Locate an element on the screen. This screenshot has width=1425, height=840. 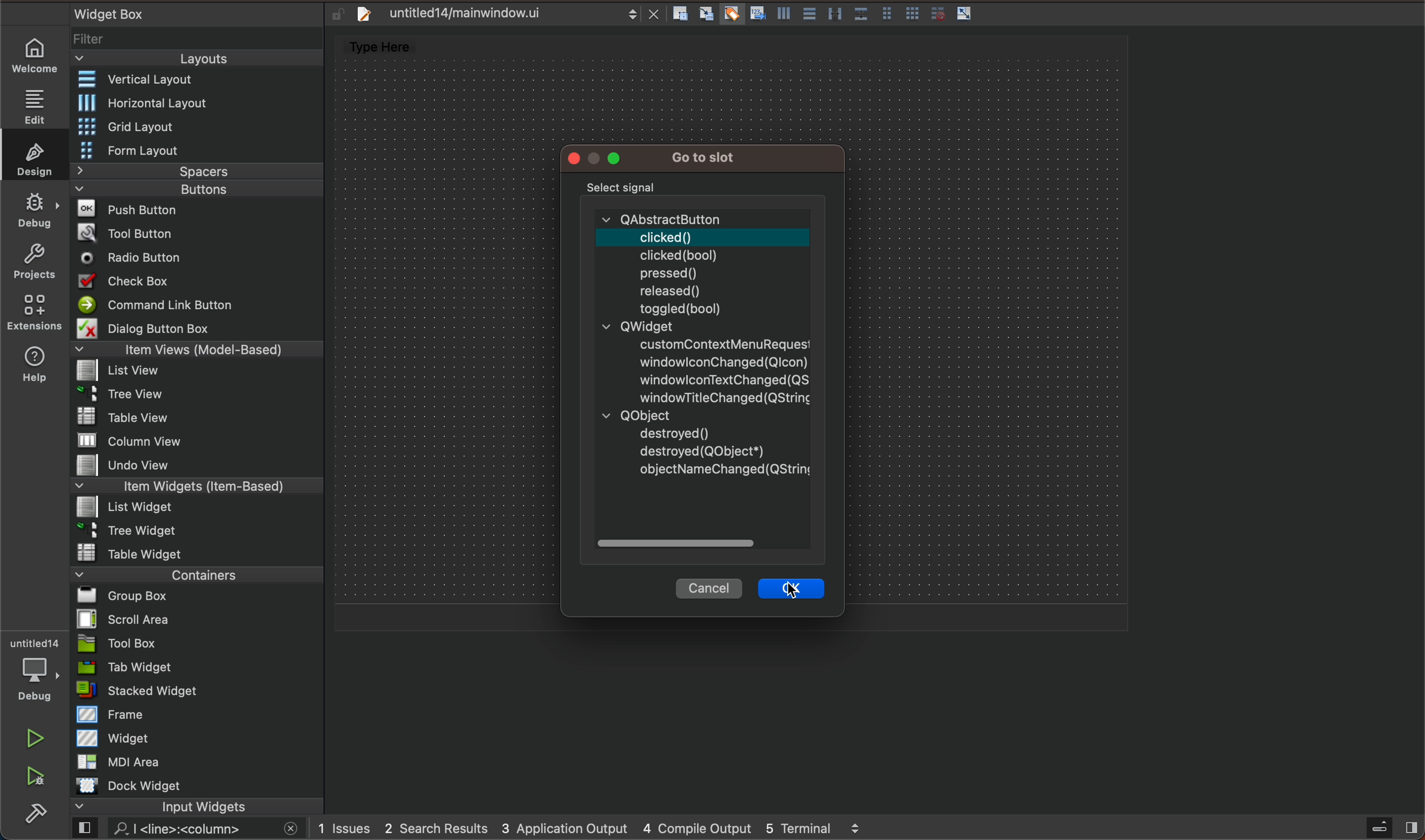
checkbox is located at coordinates (198, 283).